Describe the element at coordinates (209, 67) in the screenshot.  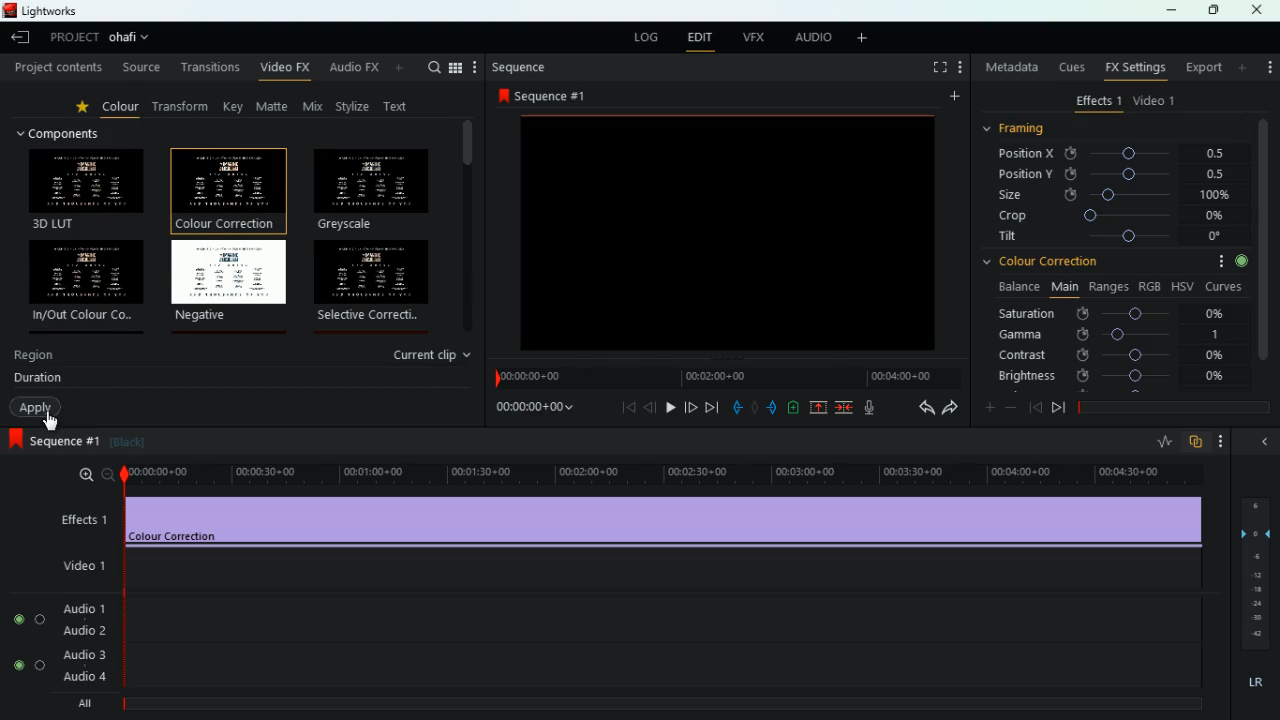
I see `transitions` at that location.